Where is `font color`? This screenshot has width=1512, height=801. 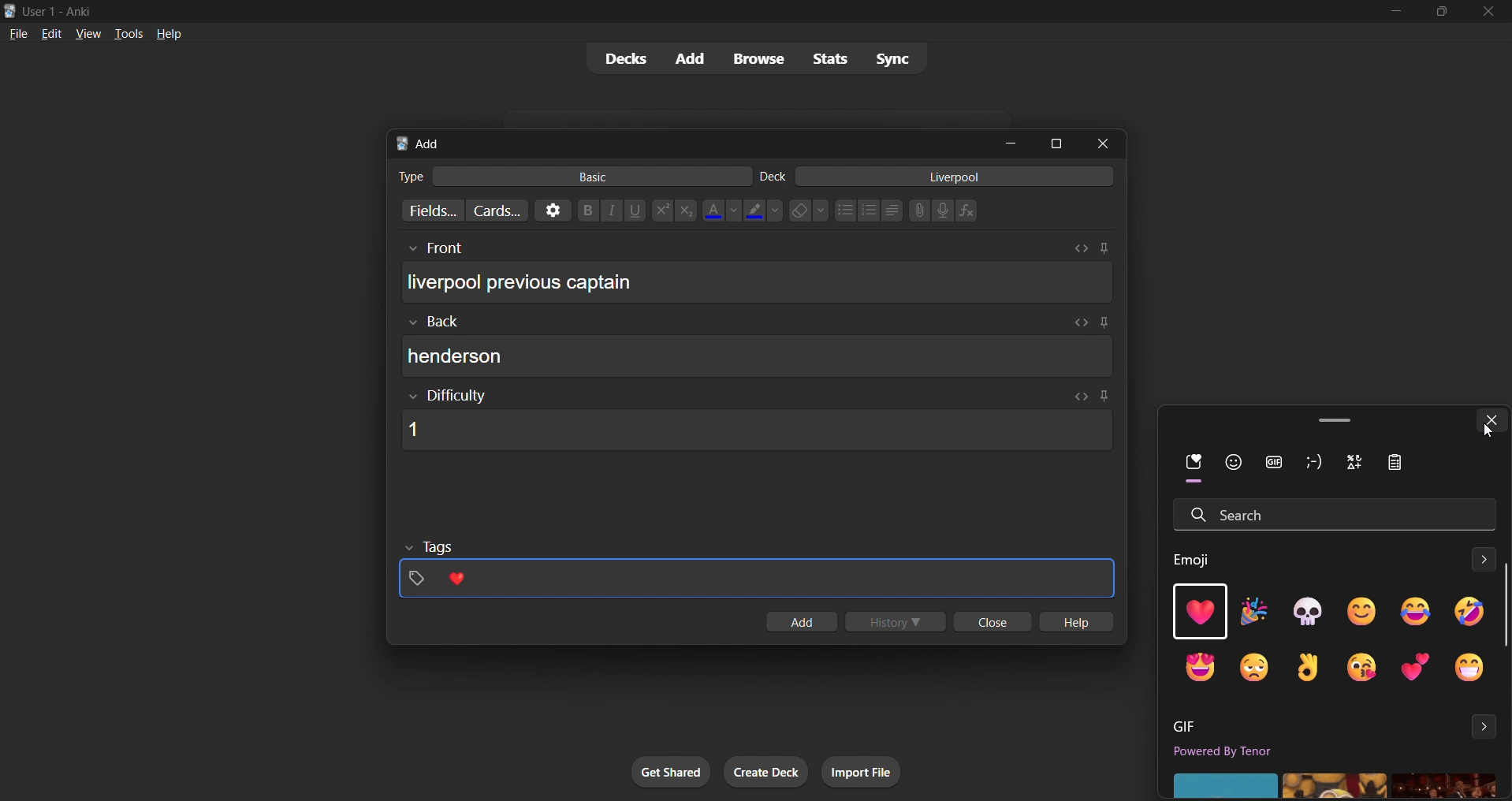
font color is located at coordinates (717, 209).